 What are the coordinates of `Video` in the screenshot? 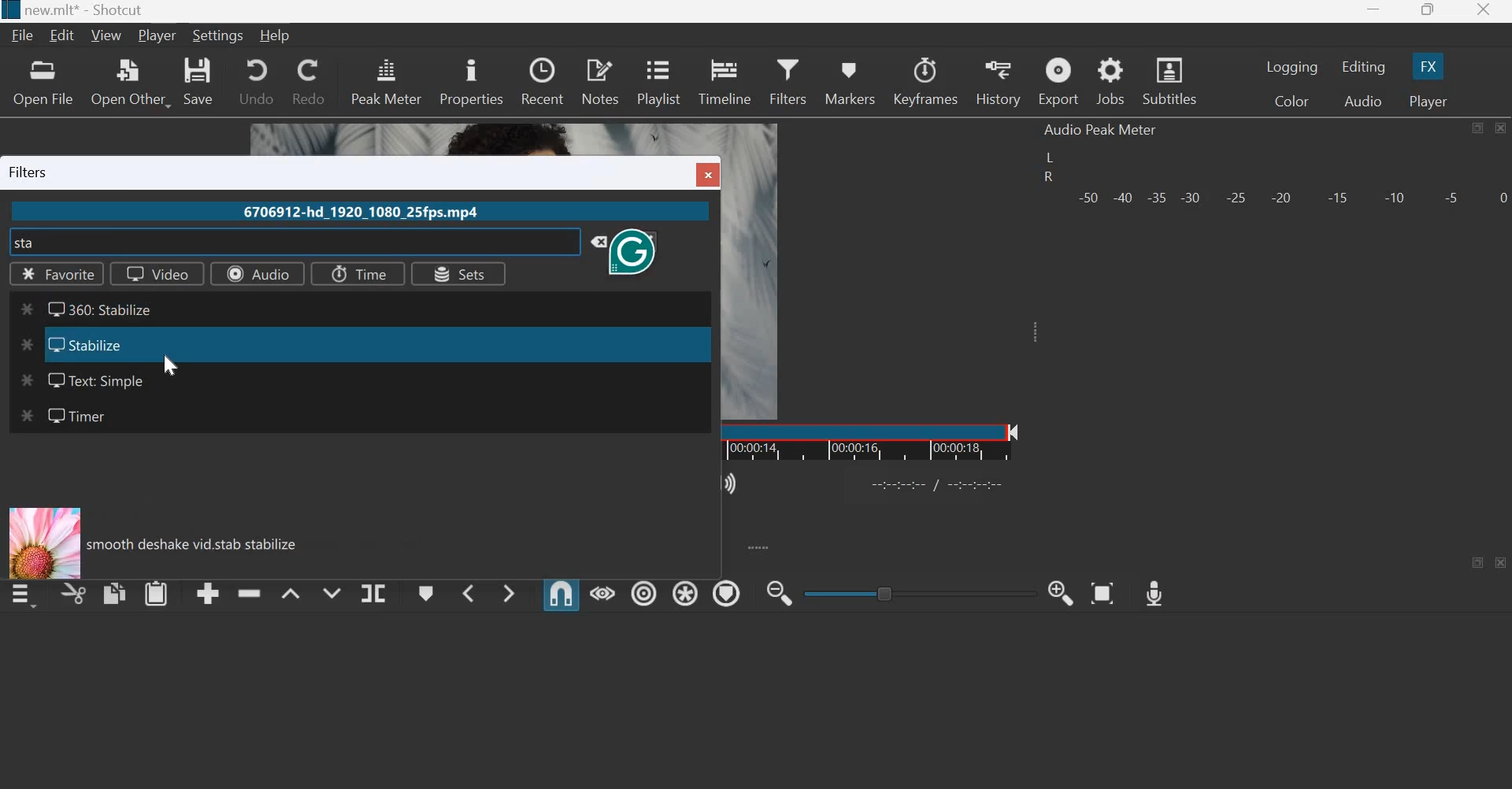 It's located at (157, 273).